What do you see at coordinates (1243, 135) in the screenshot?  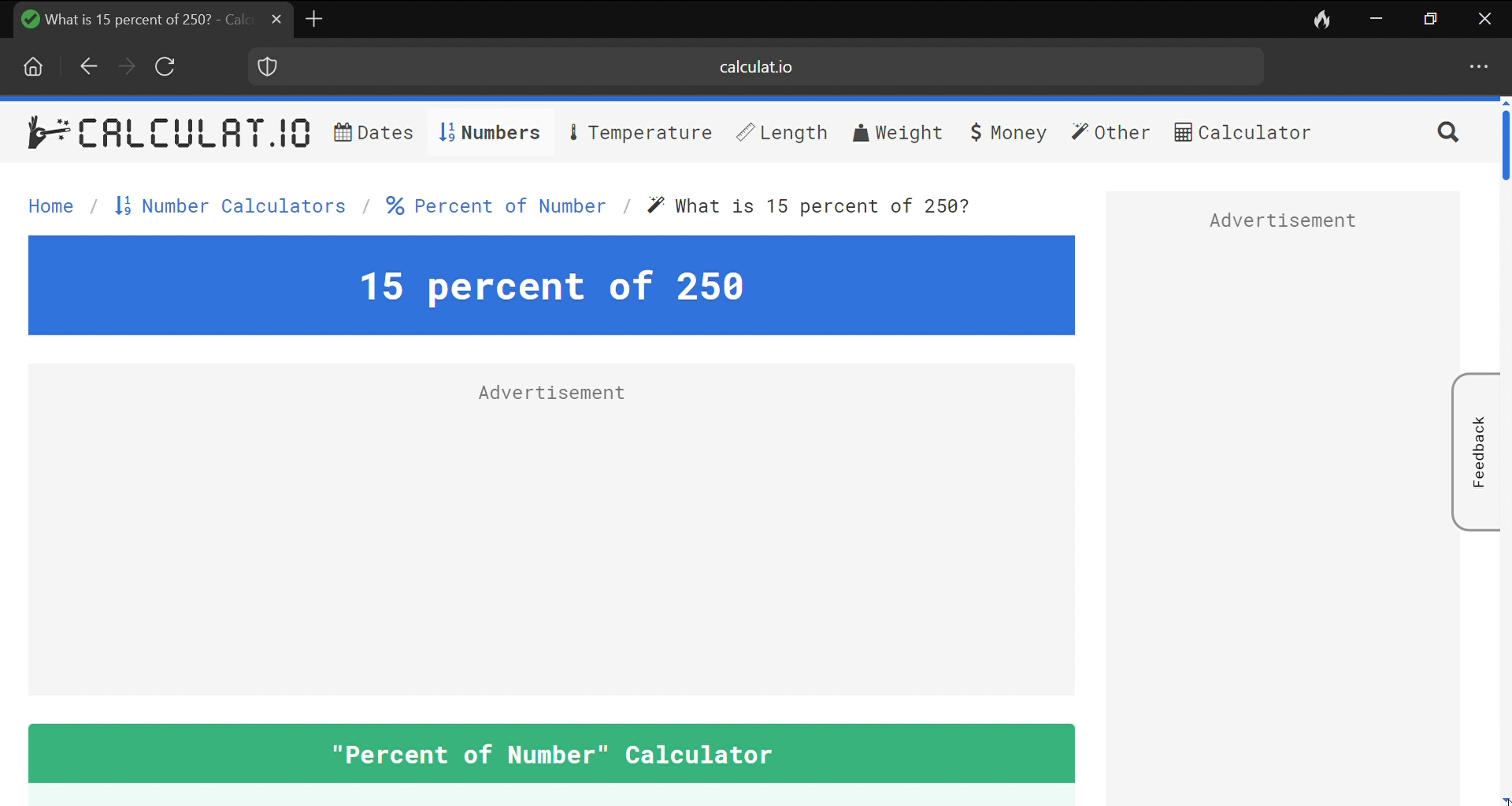 I see `Calculator` at bounding box center [1243, 135].